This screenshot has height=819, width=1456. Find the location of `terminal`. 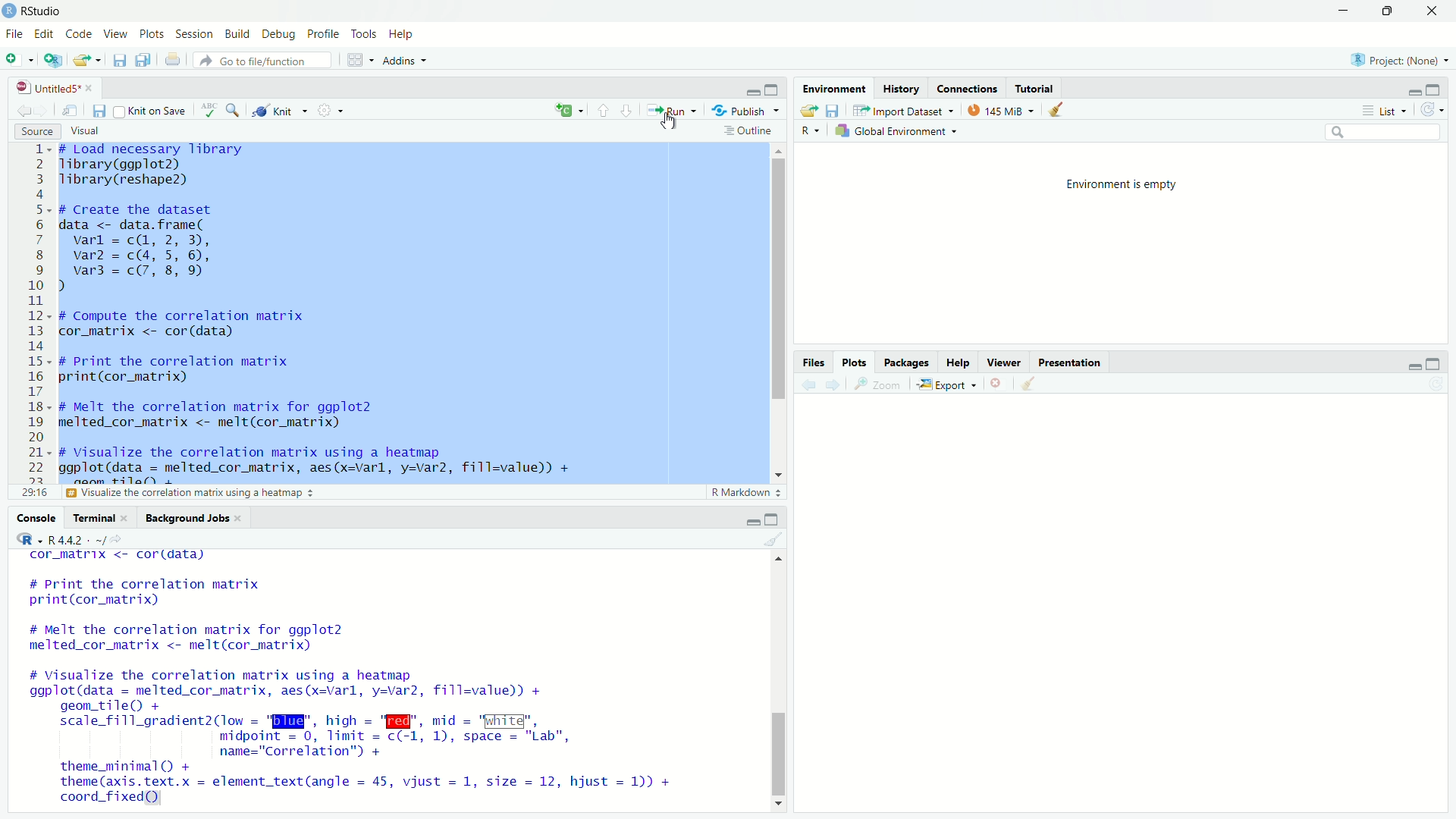

terminal is located at coordinates (102, 518).